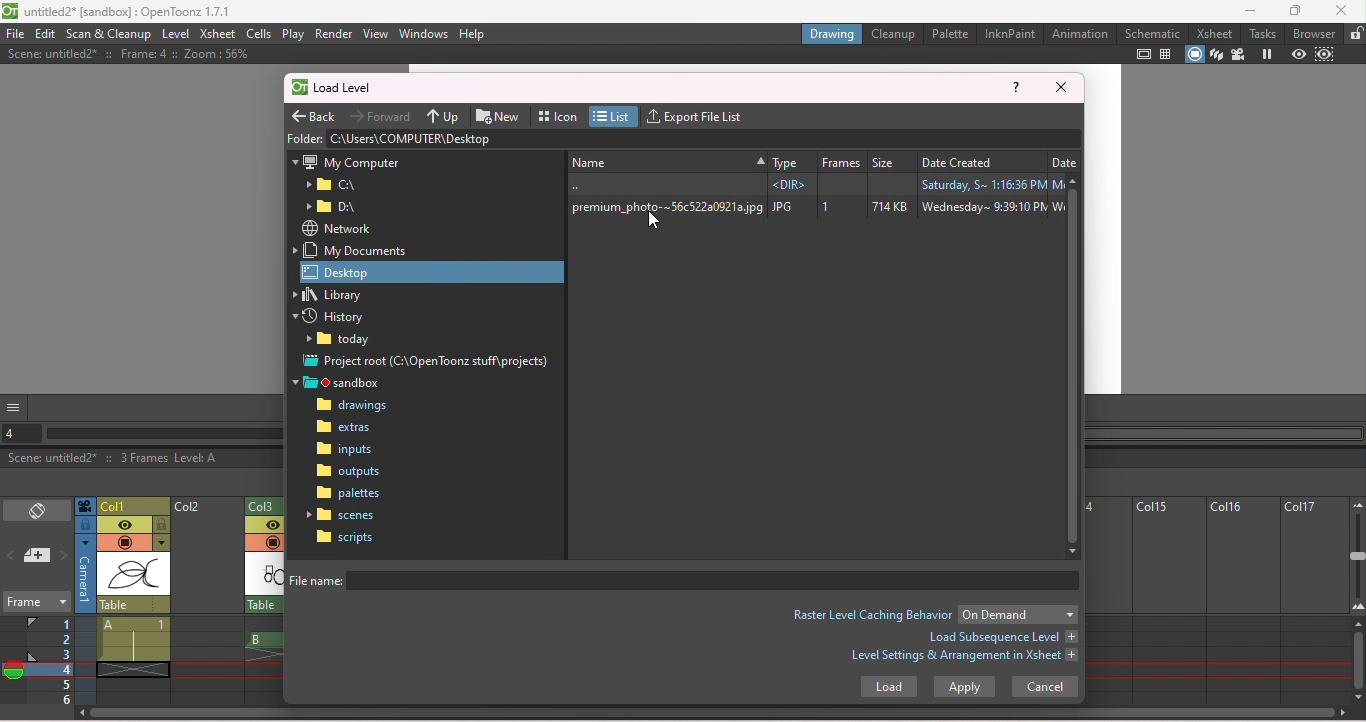 Image resolution: width=1366 pixels, height=722 pixels. I want to click on Load level, so click(343, 89).